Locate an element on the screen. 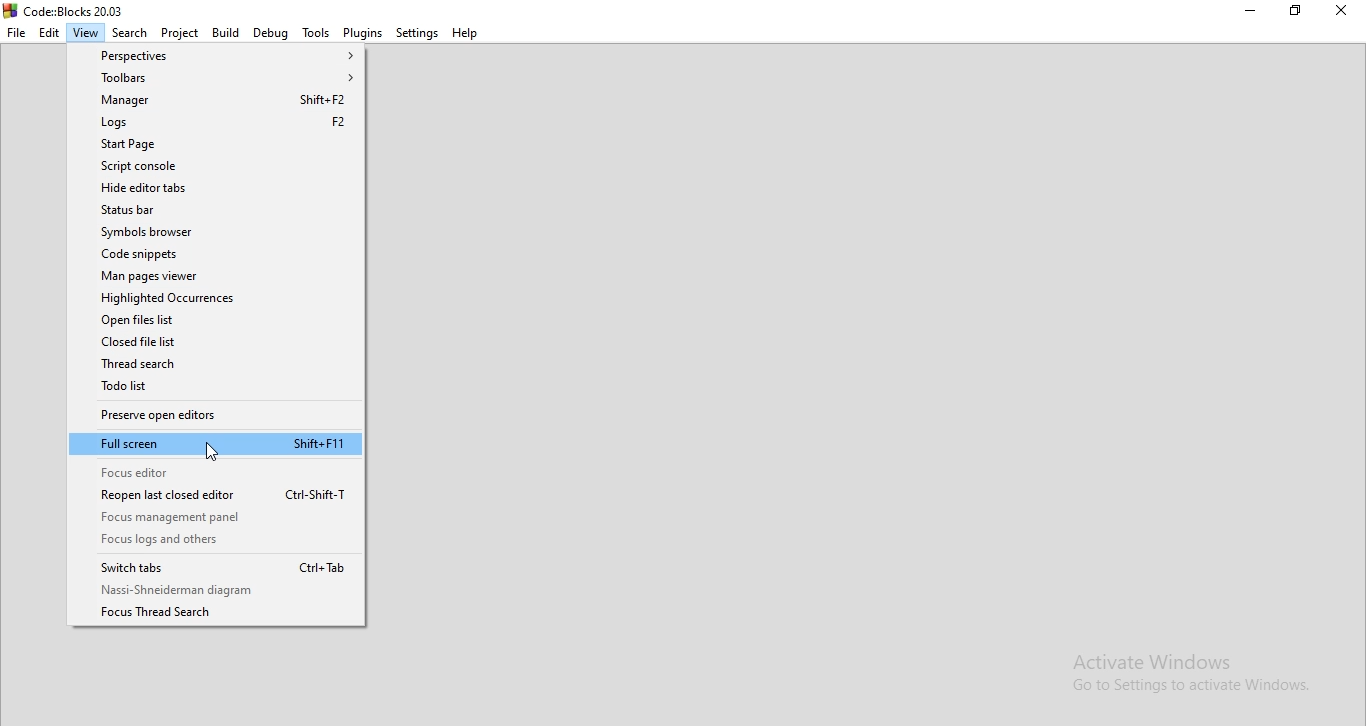 The image size is (1366, 726). Open files list is located at coordinates (214, 320).